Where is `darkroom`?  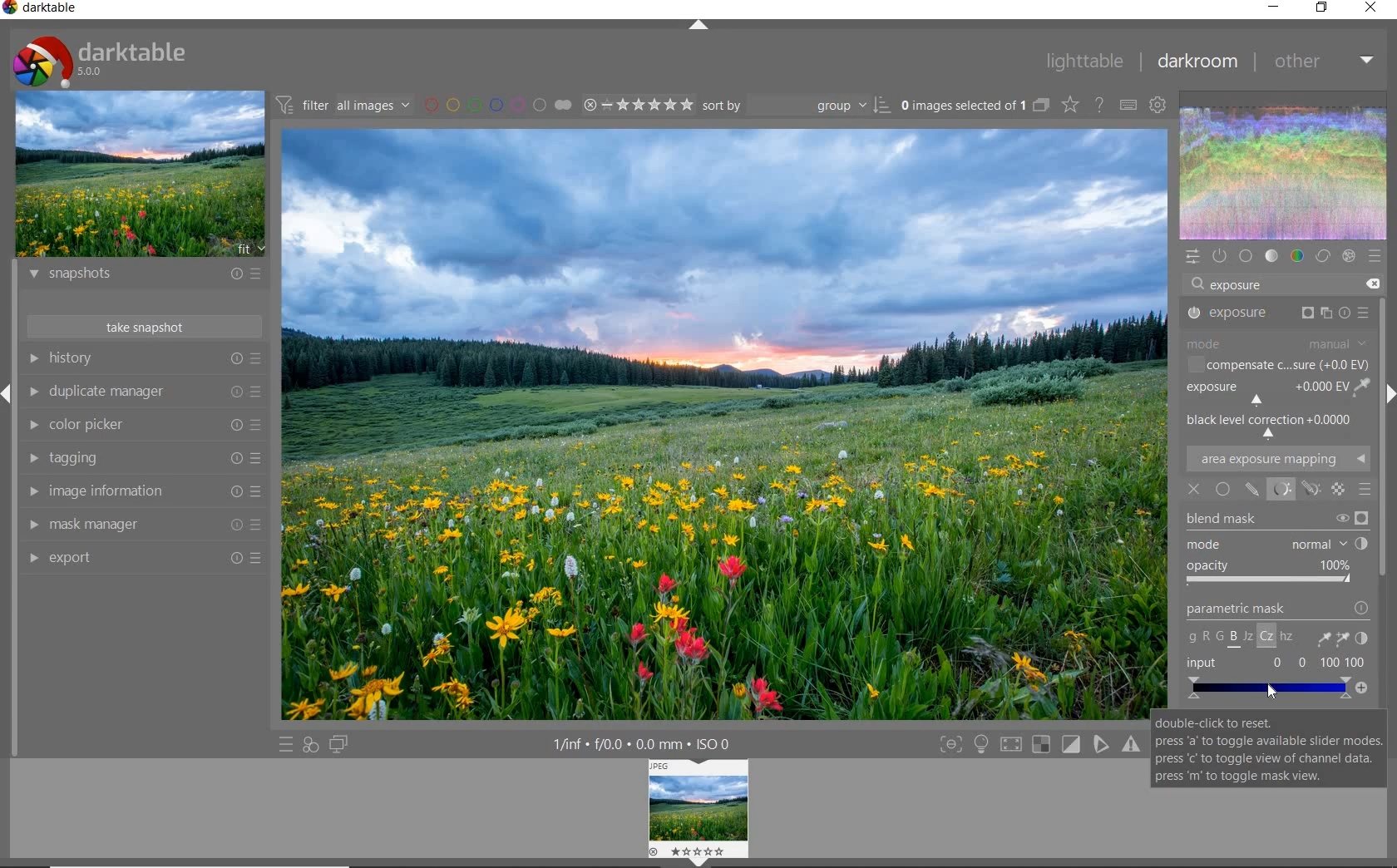
darkroom is located at coordinates (1200, 62).